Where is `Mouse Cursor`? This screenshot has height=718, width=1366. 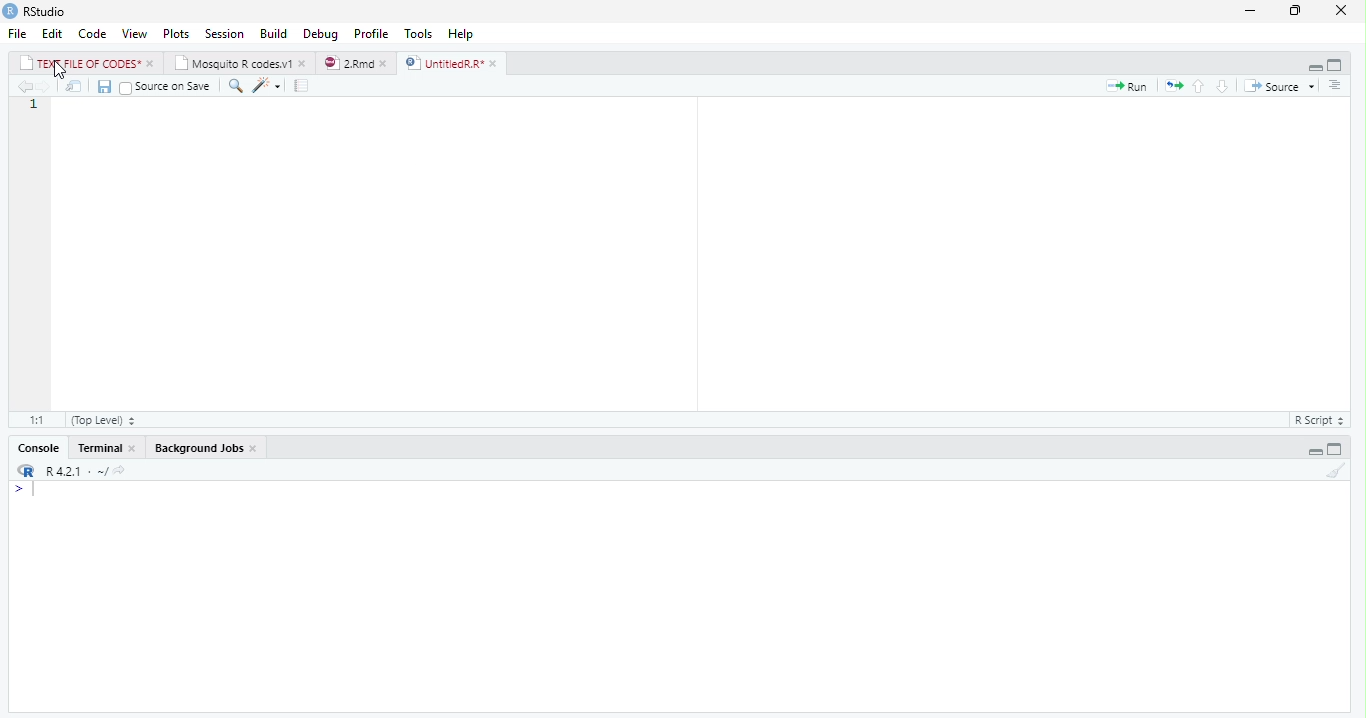 Mouse Cursor is located at coordinates (59, 72).